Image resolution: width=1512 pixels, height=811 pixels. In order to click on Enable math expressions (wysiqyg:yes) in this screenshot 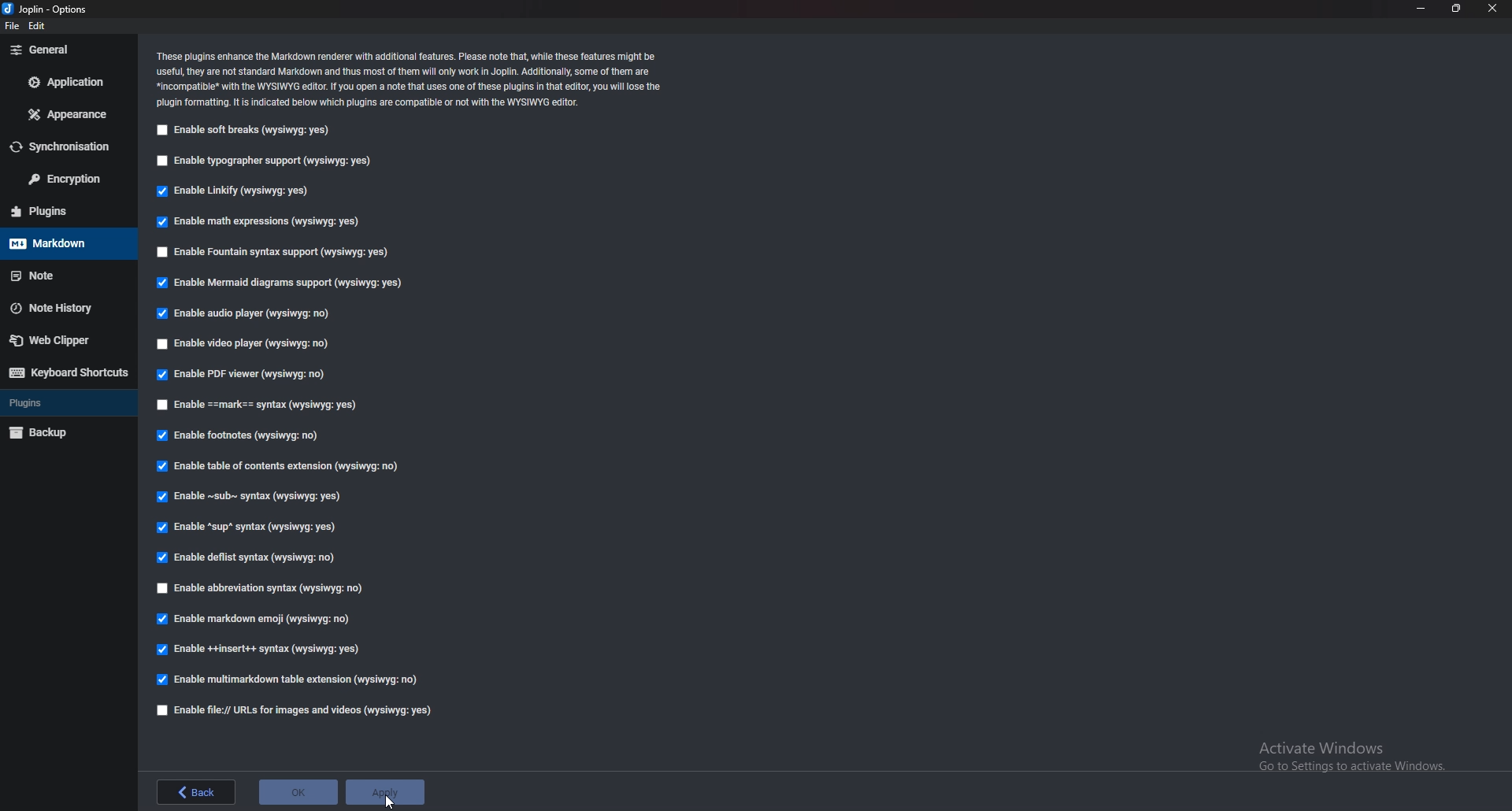, I will do `click(269, 223)`.